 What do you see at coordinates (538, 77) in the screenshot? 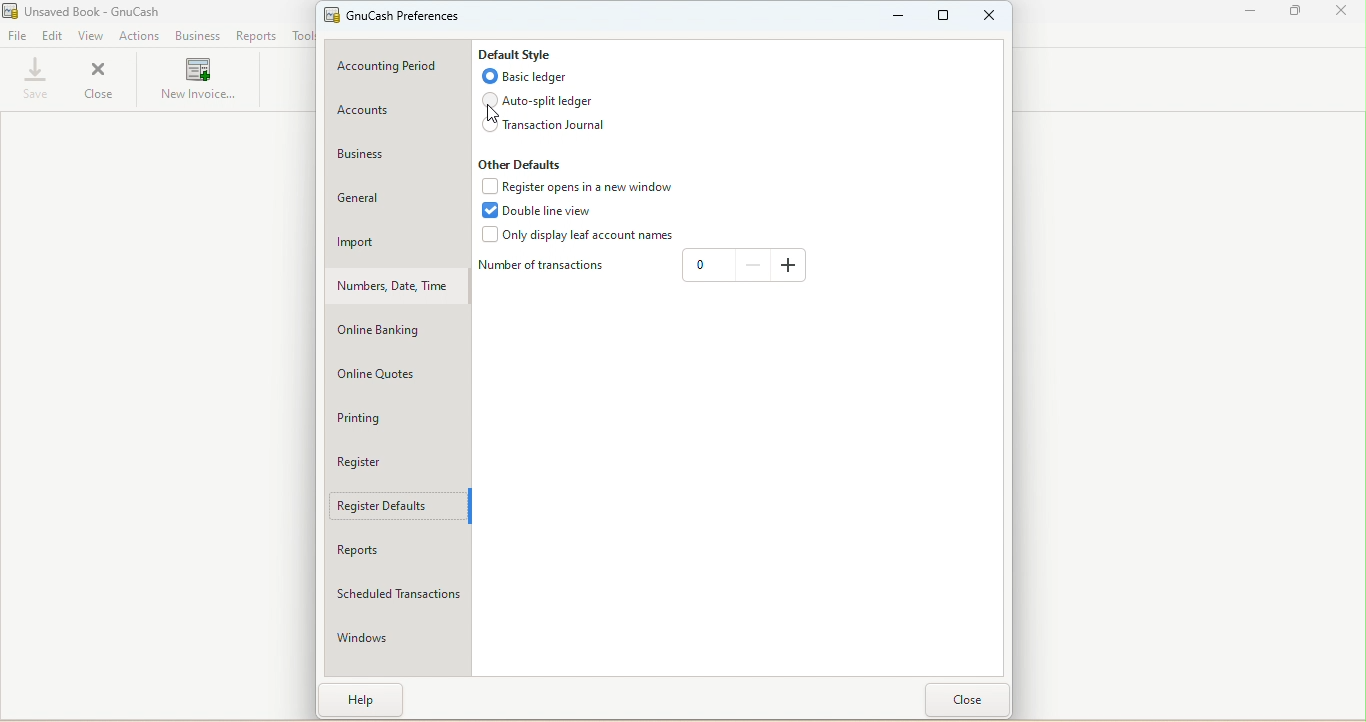
I see `Basic ledger` at bounding box center [538, 77].